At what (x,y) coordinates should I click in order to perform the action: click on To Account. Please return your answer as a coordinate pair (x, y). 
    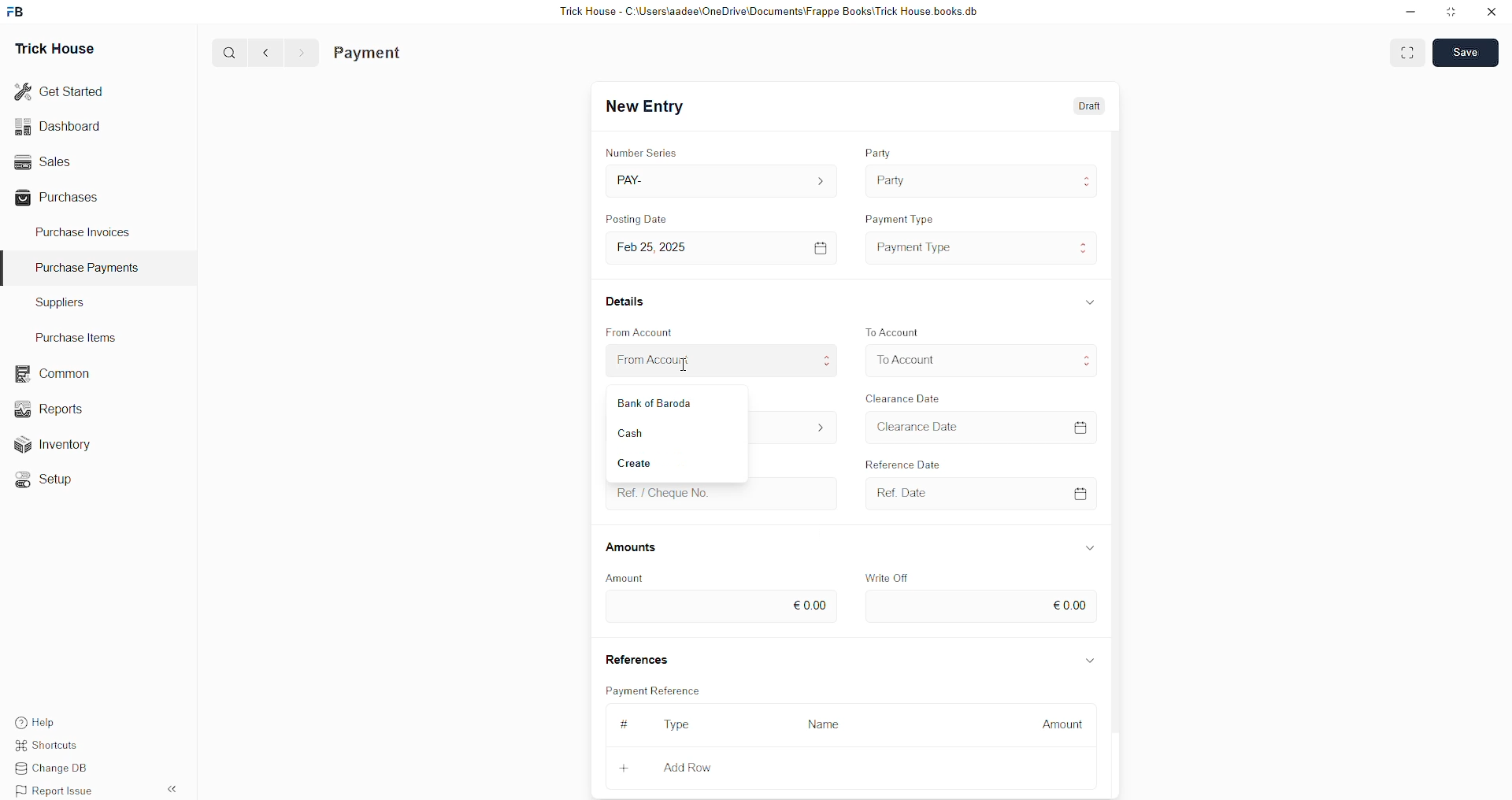
    Looking at the image, I should click on (907, 359).